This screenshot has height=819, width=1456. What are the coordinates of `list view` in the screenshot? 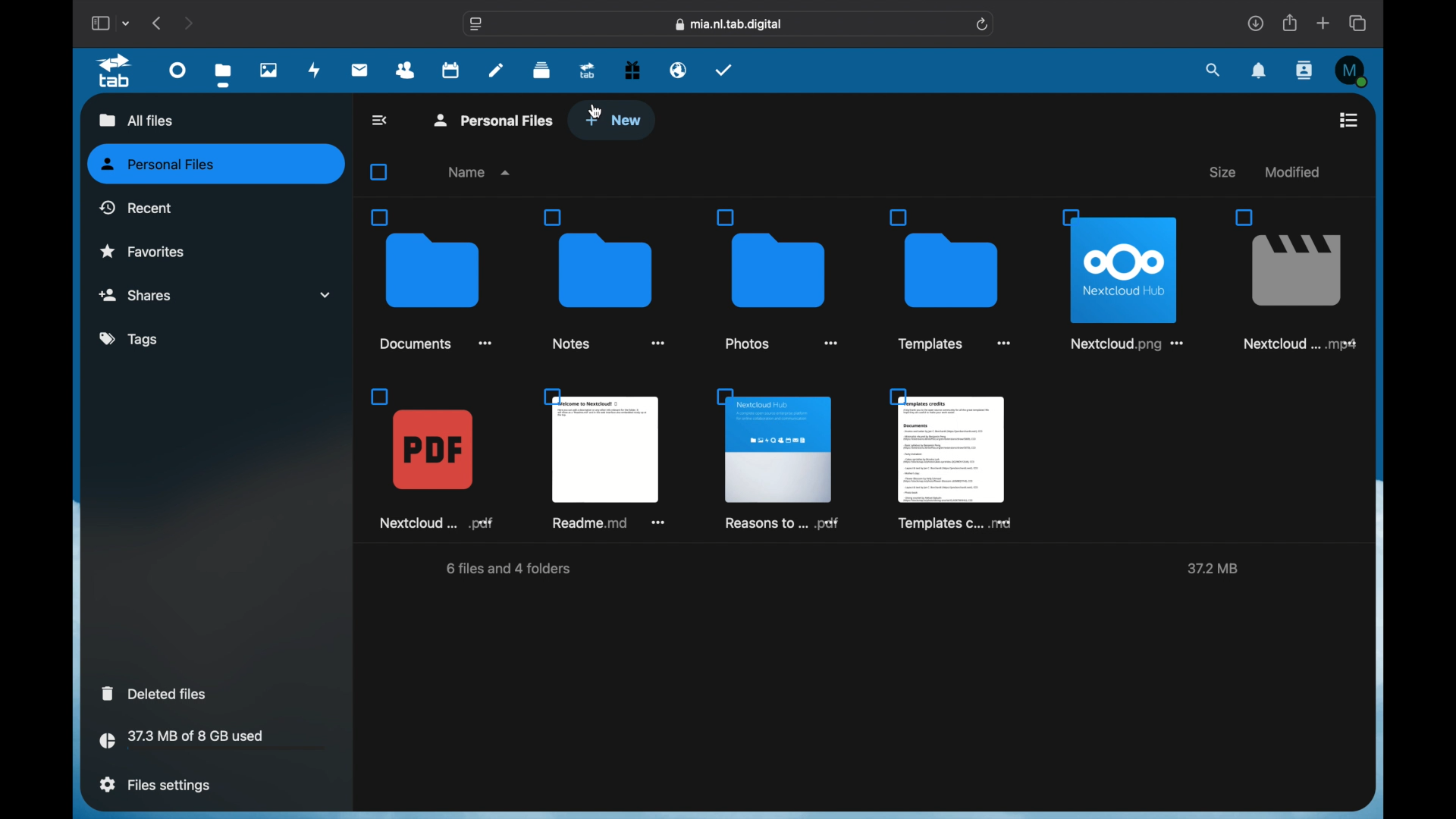 It's located at (1348, 120).